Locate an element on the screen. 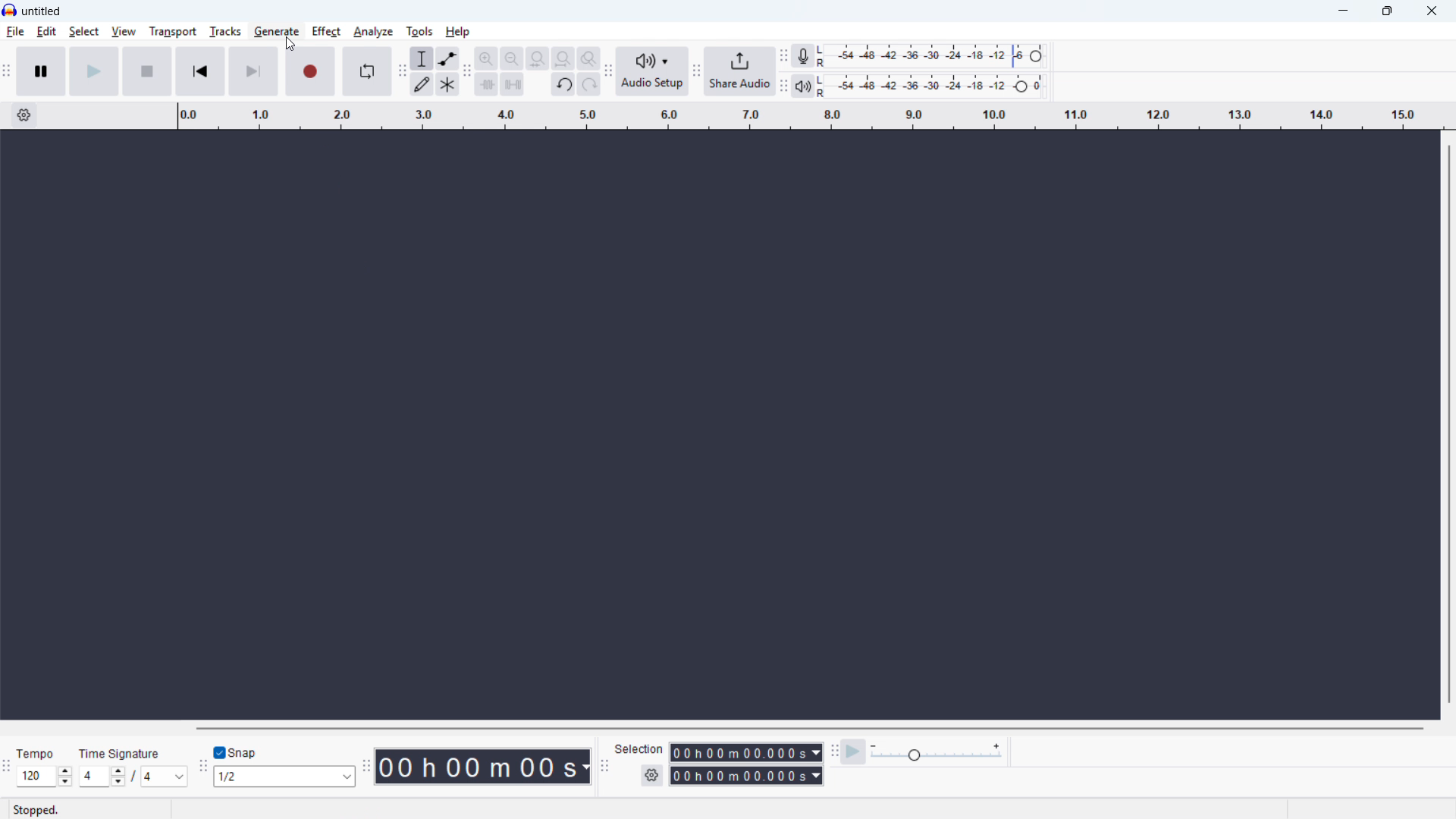 The width and height of the screenshot is (1456, 819). Set time signature  is located at coordinates (136, 777).